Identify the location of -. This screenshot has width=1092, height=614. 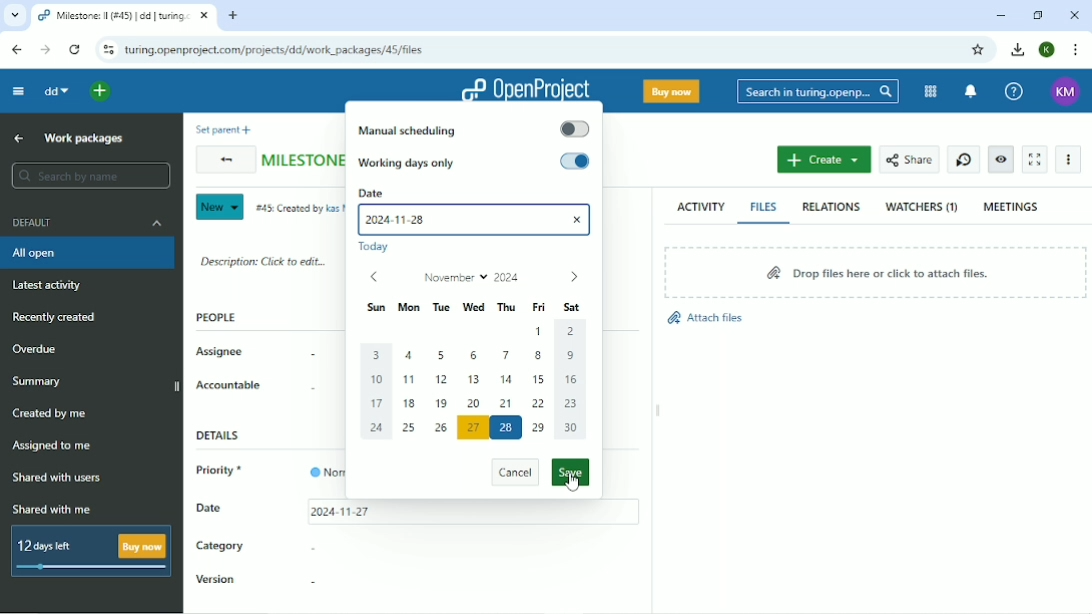
(306, 356).